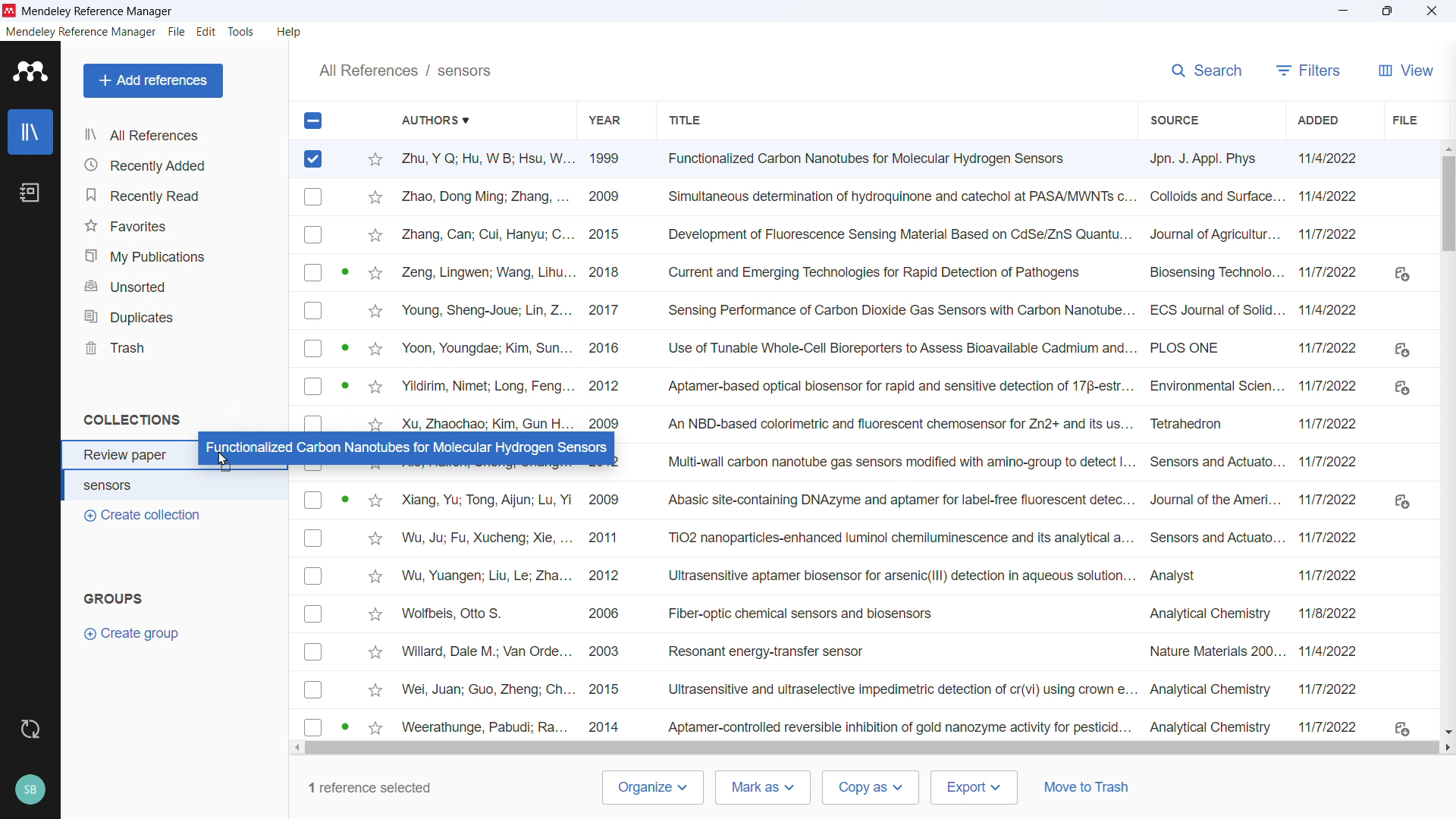  Describe the element at coordinates (605, 288) in the screenshot. I see `Year of publication of individual entries ` at that location.